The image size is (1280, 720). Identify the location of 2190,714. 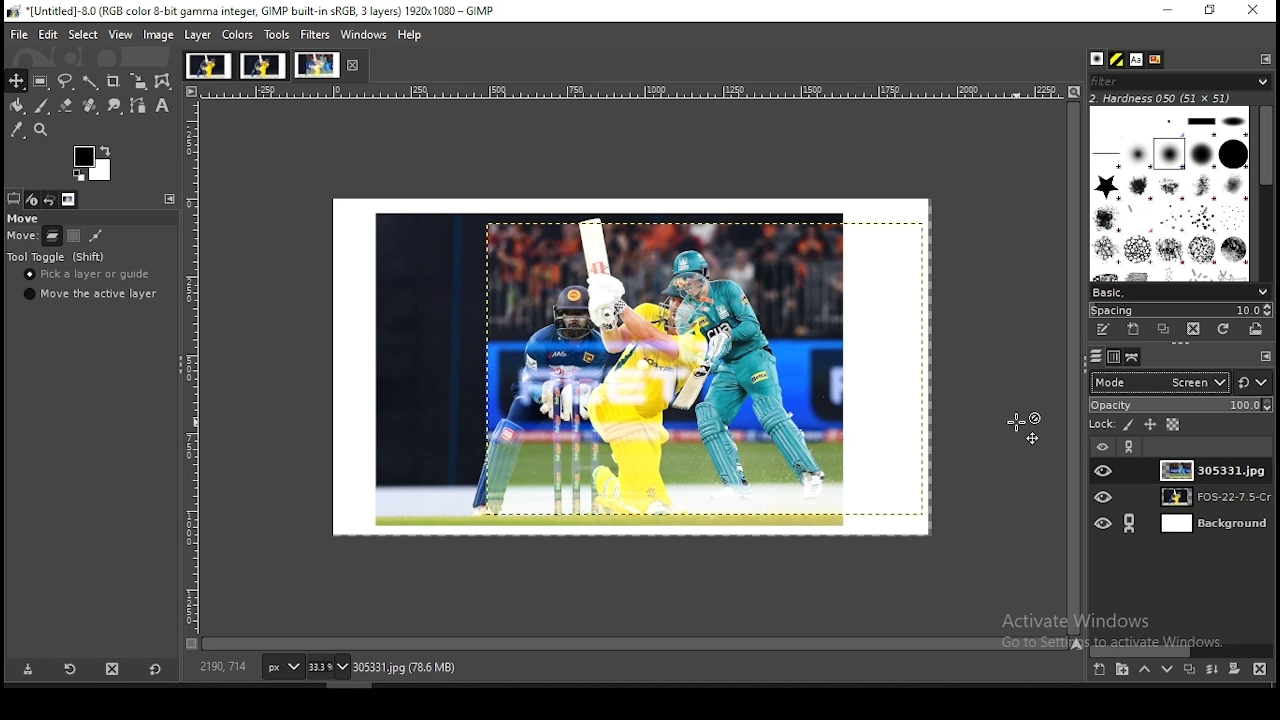
(224, 666).